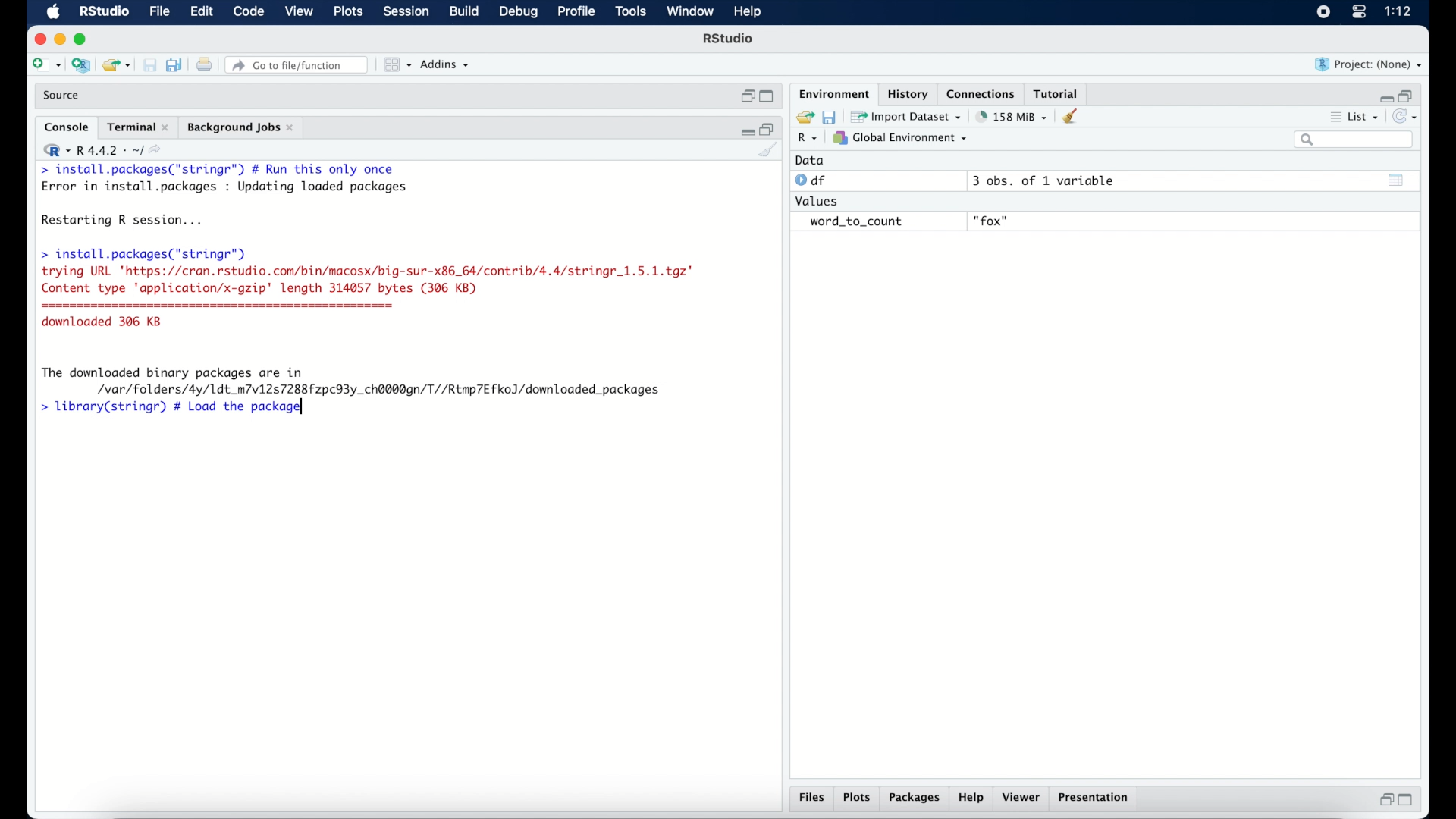 The height and width of the screenshot is (819, 1456). Describe the element at coordinates (102, 150) in the screenshot. I see `R 4.4.2` at that location.